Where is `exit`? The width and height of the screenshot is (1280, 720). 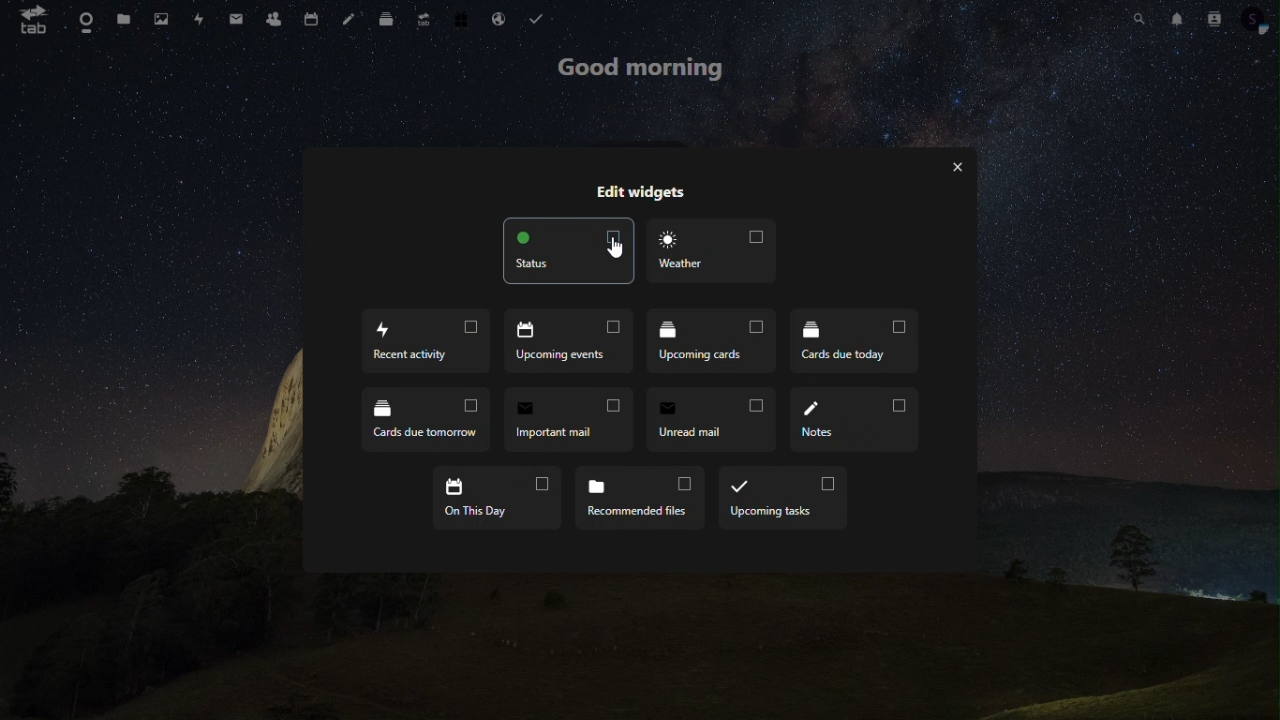 exit is located at coordinates (959, 171).